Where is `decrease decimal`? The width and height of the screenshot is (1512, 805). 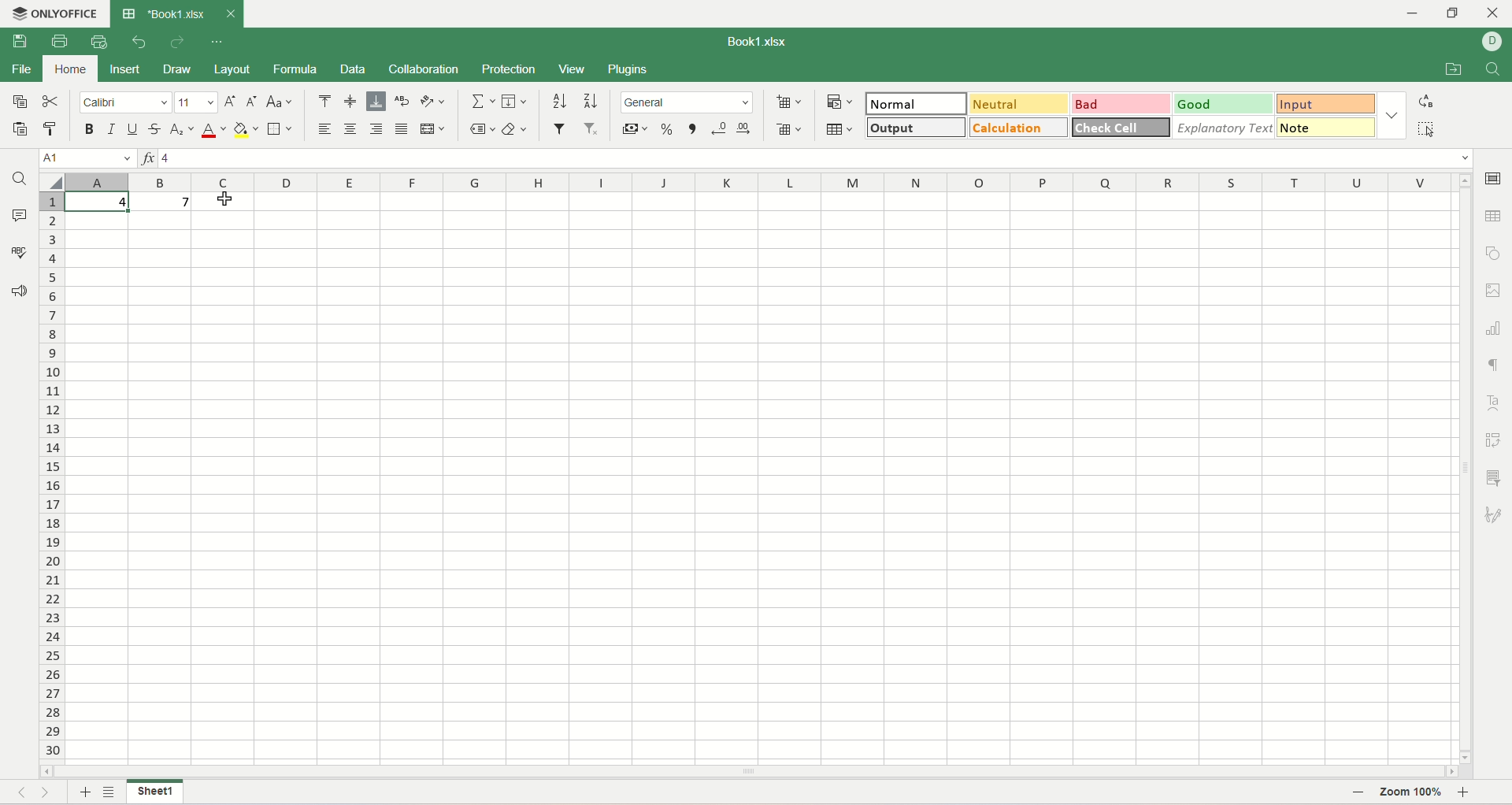 decrease decimal is located at coordinates (720, 129).